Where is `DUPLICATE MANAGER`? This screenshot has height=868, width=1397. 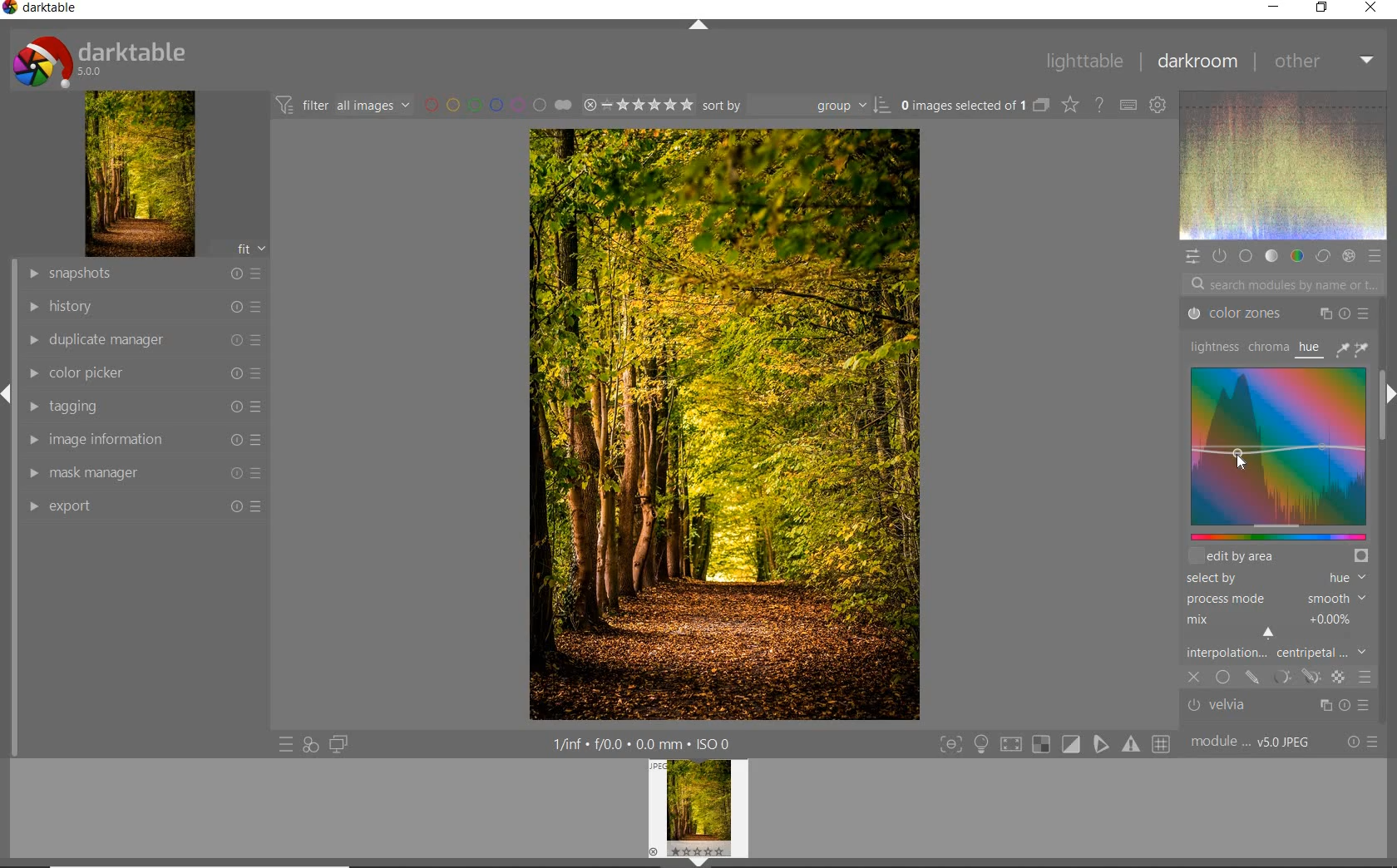 DUPLICATE MANAGER is located at coordinates (143, 338).